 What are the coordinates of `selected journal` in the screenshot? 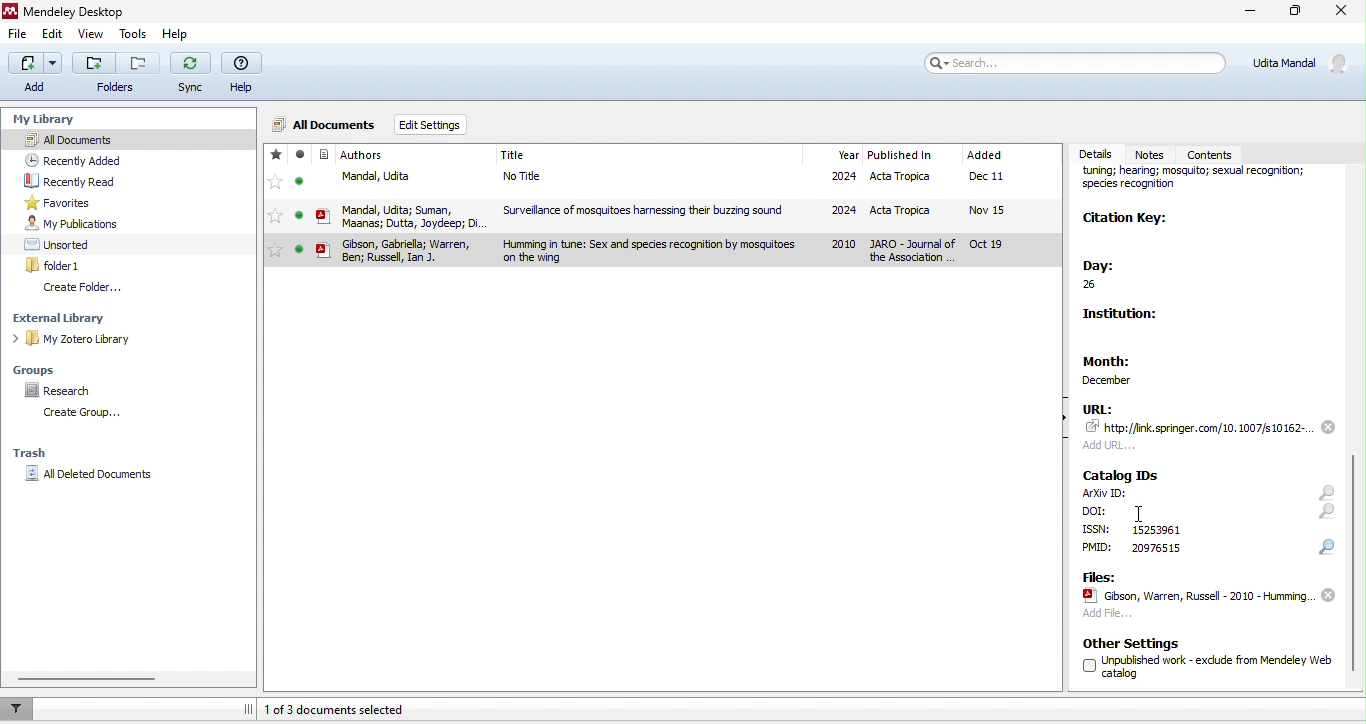 It's located at (661, 251).